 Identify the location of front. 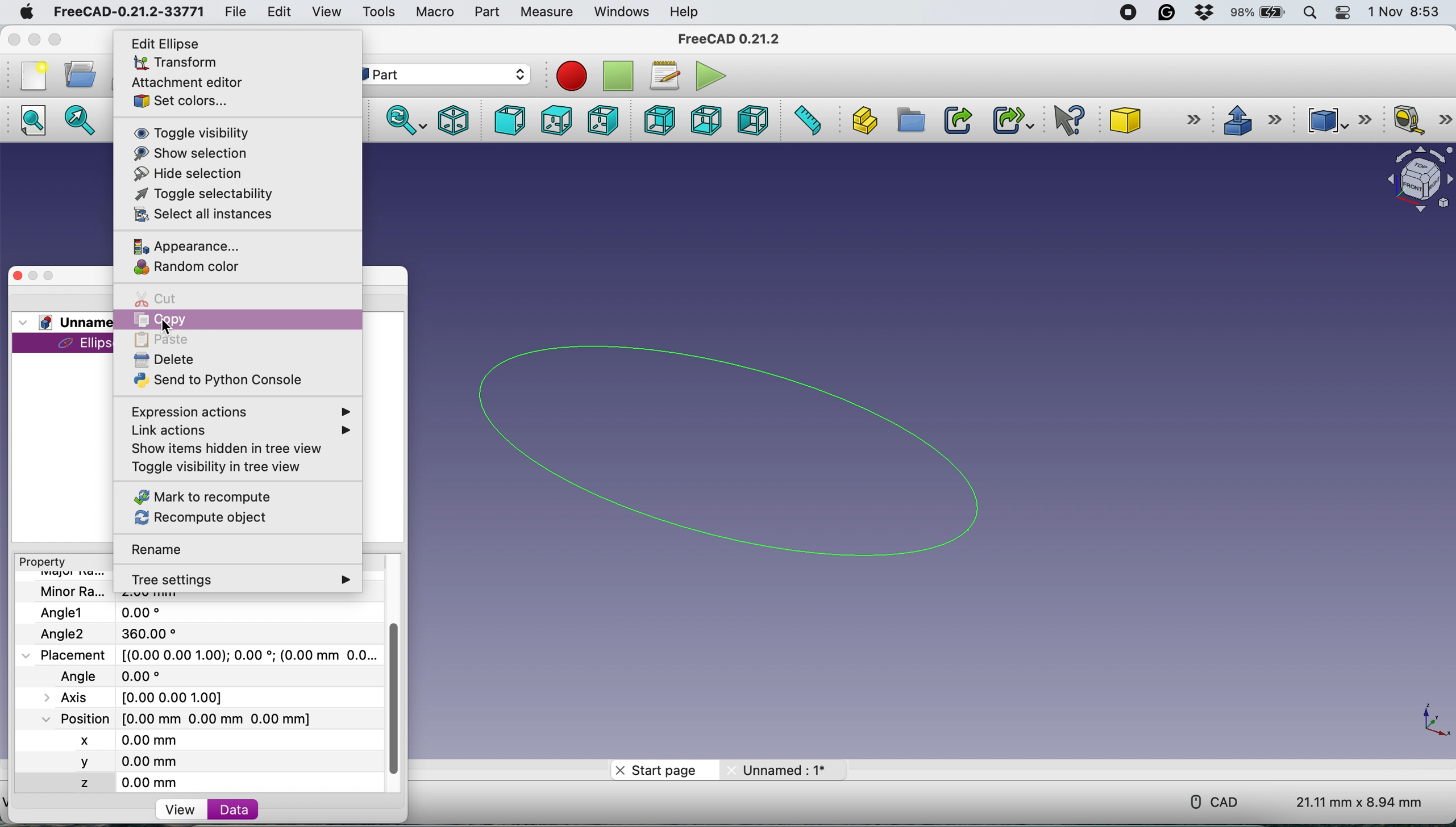
(511, 122).